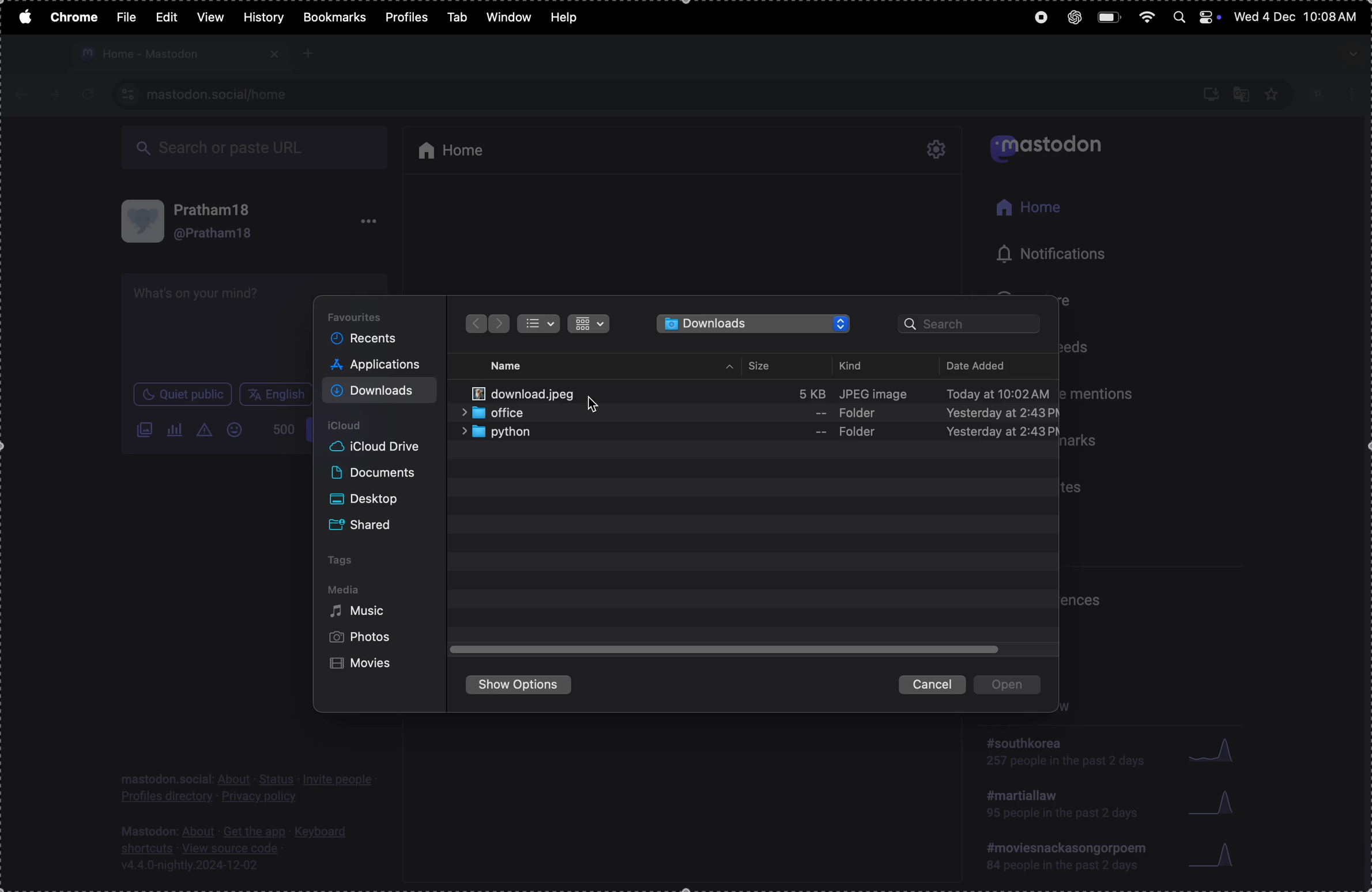 Image resolution: width=1372 pixels, height=892 pixels. I want to click on #martial law, so click(1056, 808).